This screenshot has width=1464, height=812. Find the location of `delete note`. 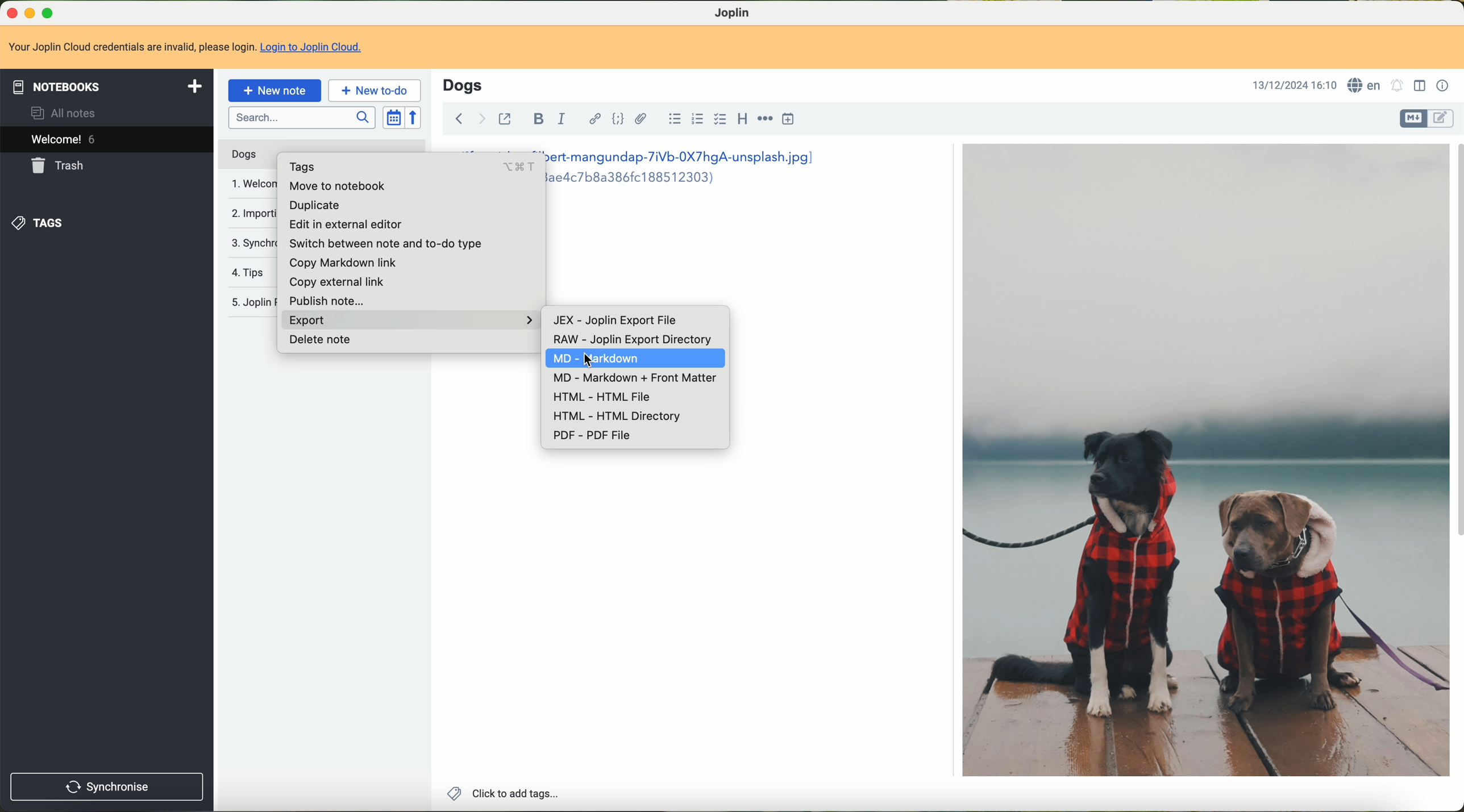

delete note is located at coordinates (319, 341).